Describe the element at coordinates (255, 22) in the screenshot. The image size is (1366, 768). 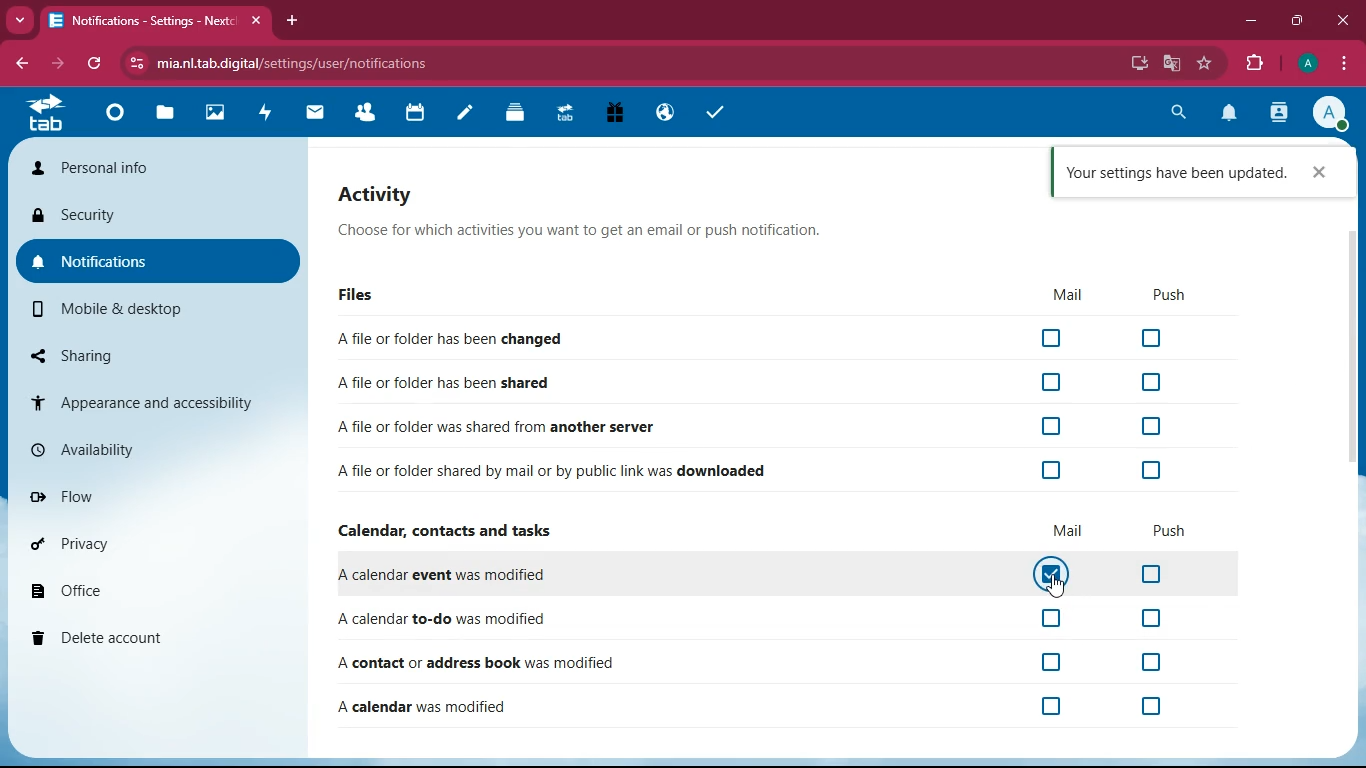
I see `close` at that location.